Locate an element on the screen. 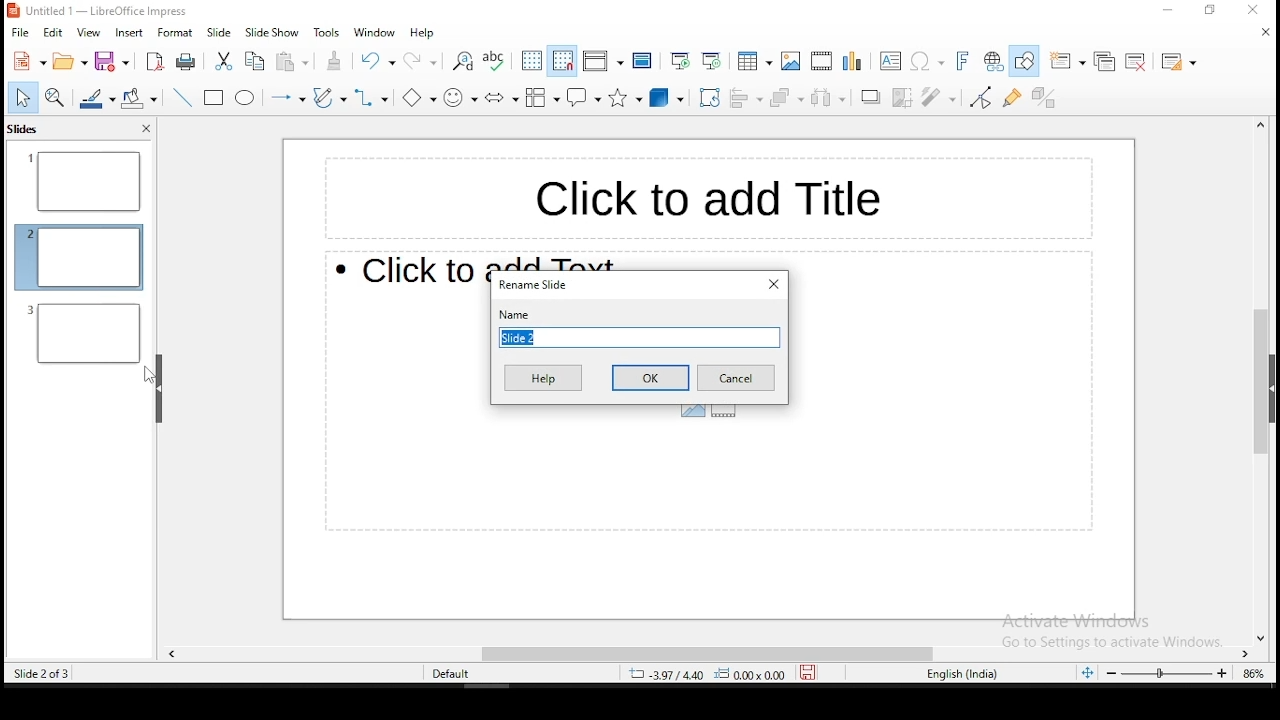 This screenshot has height=720, width=1280. Shadow is located at coordinates (871, 96).